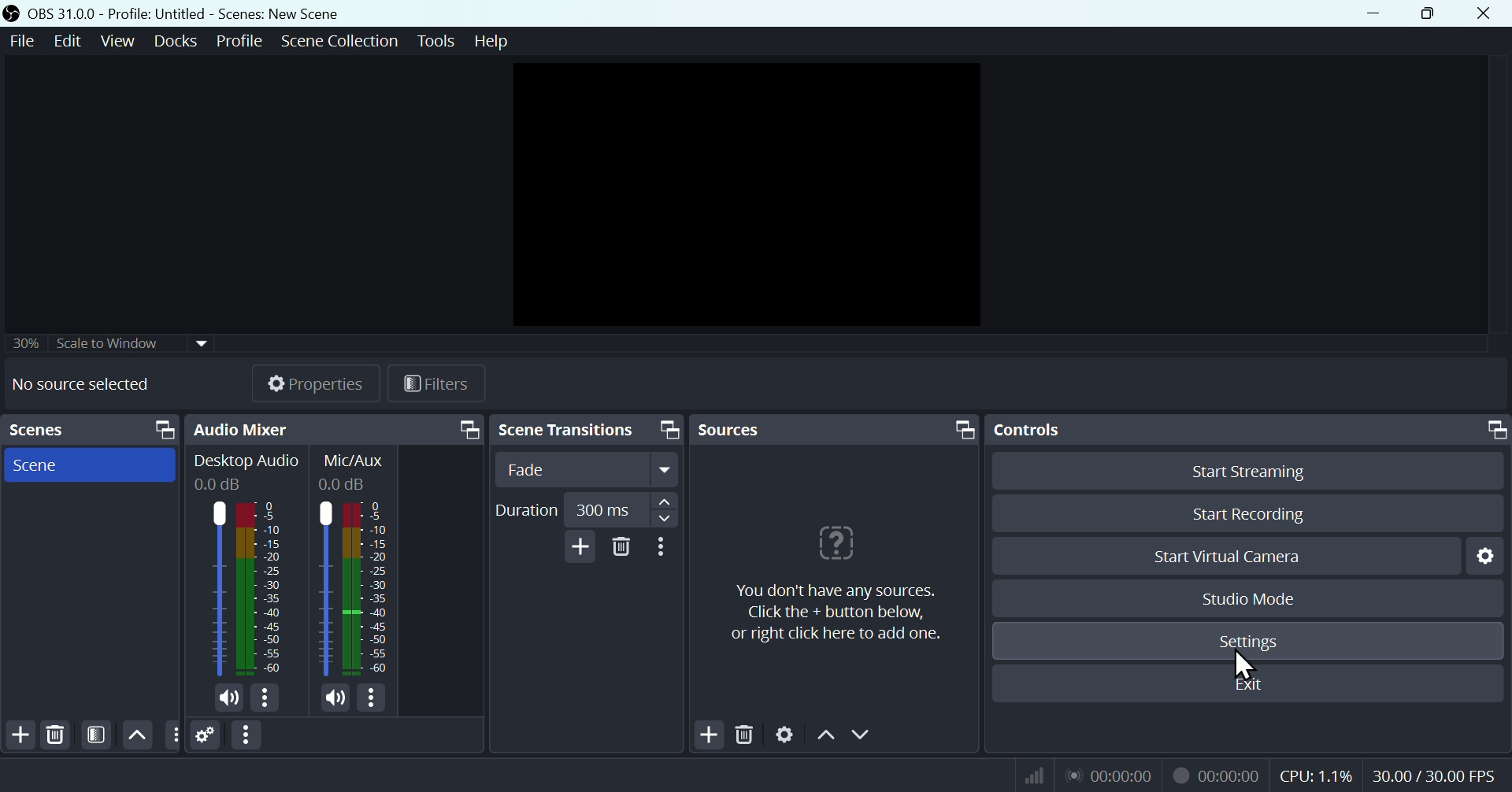 The image size is (1512, 792). Describe the element at coordinates (69, 40) in the screenshot. I see `Edit` at that location.